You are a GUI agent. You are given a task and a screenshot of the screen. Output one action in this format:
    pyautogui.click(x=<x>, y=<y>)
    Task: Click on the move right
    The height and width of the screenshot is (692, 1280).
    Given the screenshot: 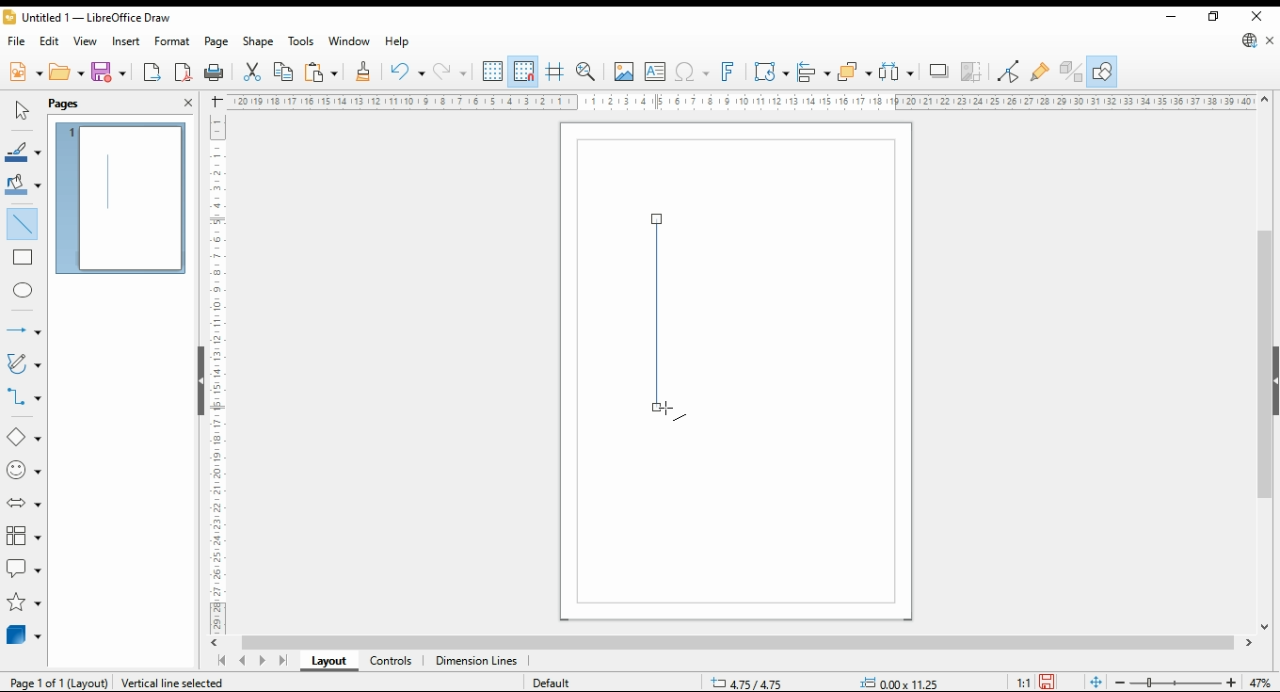 What is the action you would take?
    pyautogui.click(x=1251, y=645)
    